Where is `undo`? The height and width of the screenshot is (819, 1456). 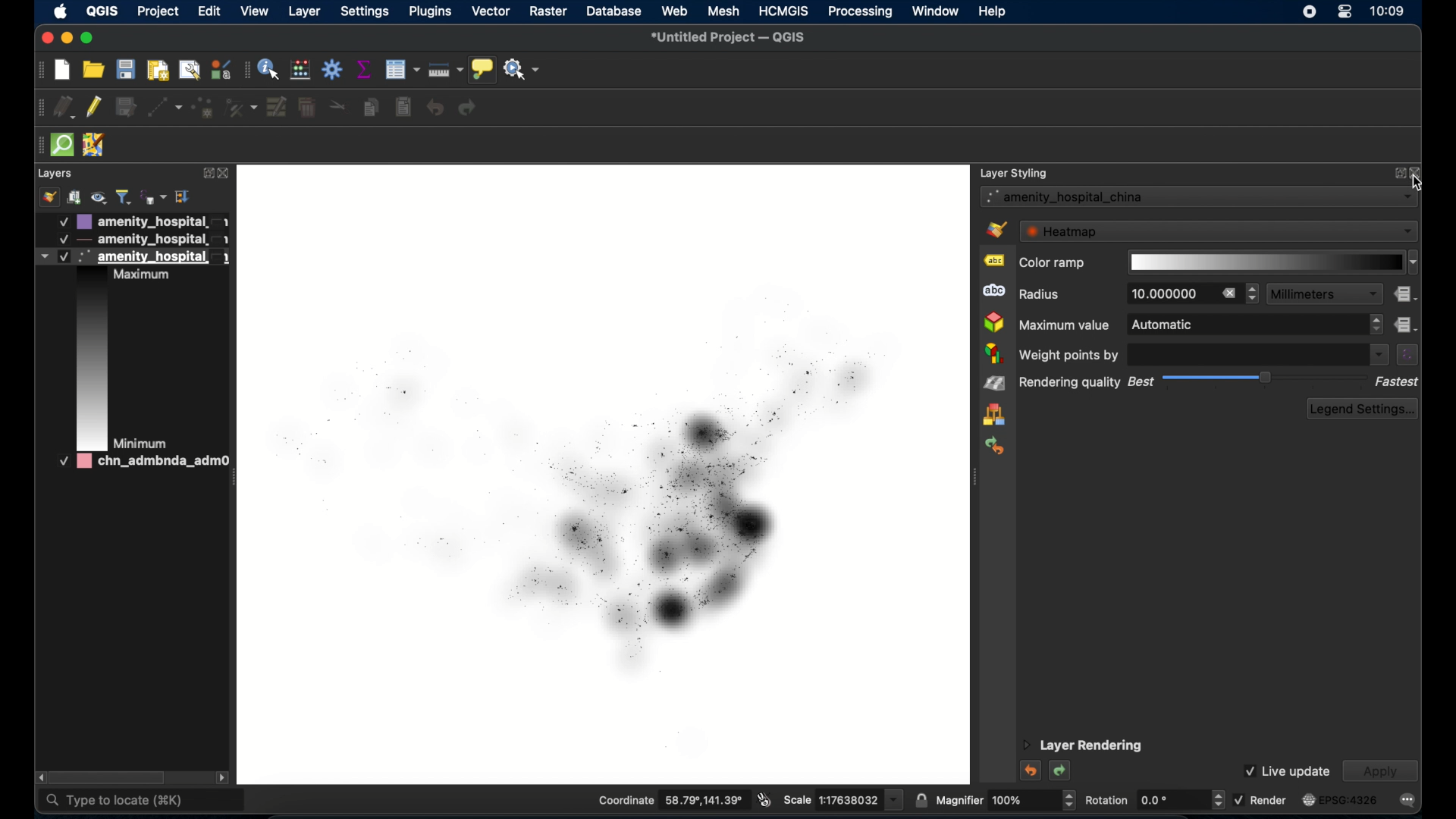
undo is located at coordinates (436, 108).